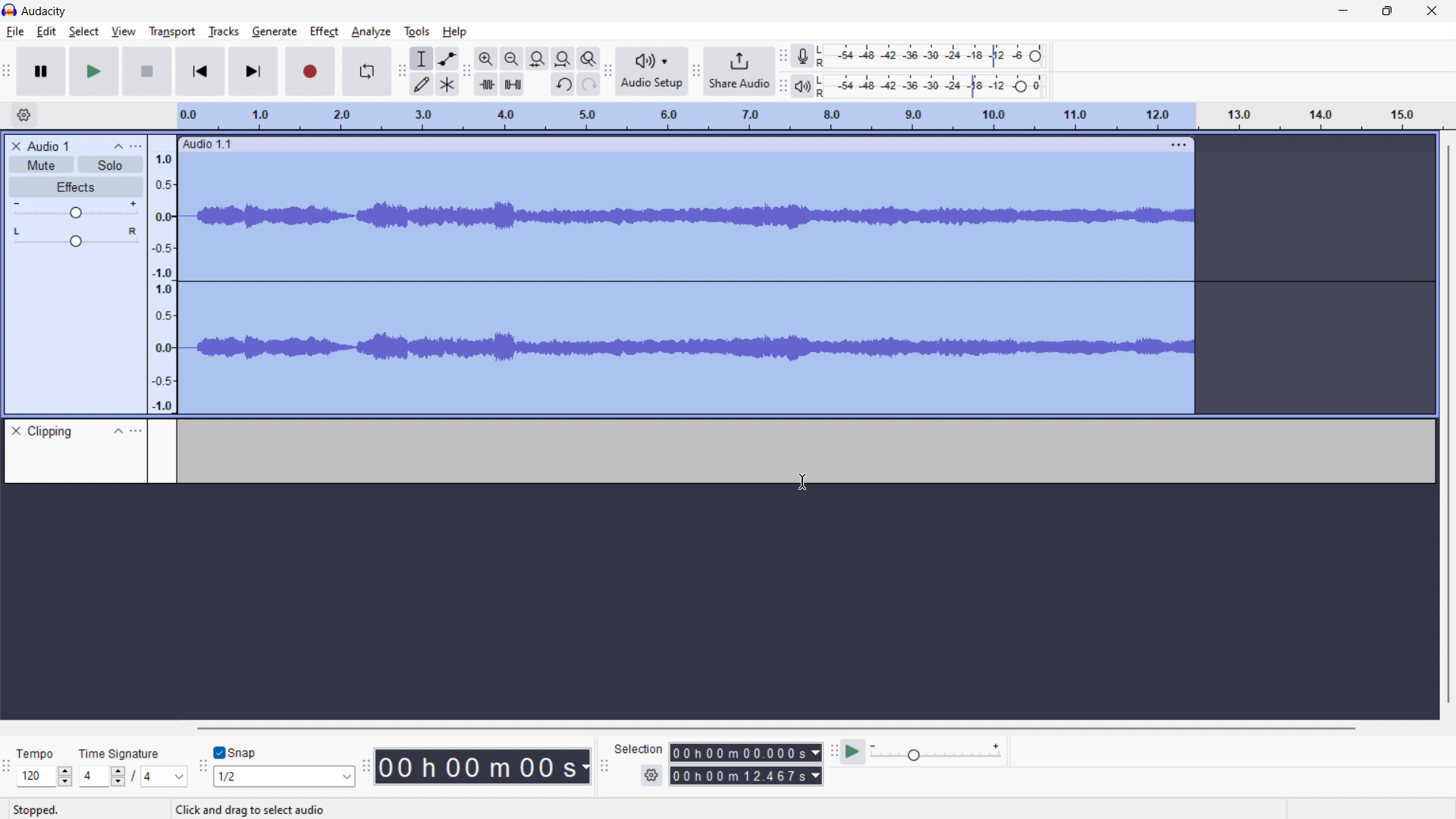 The height and width of the screenshot is (819, 1456). Describe the element at coordinates (47, 32) in the screenshot. I see `edit` at that location.